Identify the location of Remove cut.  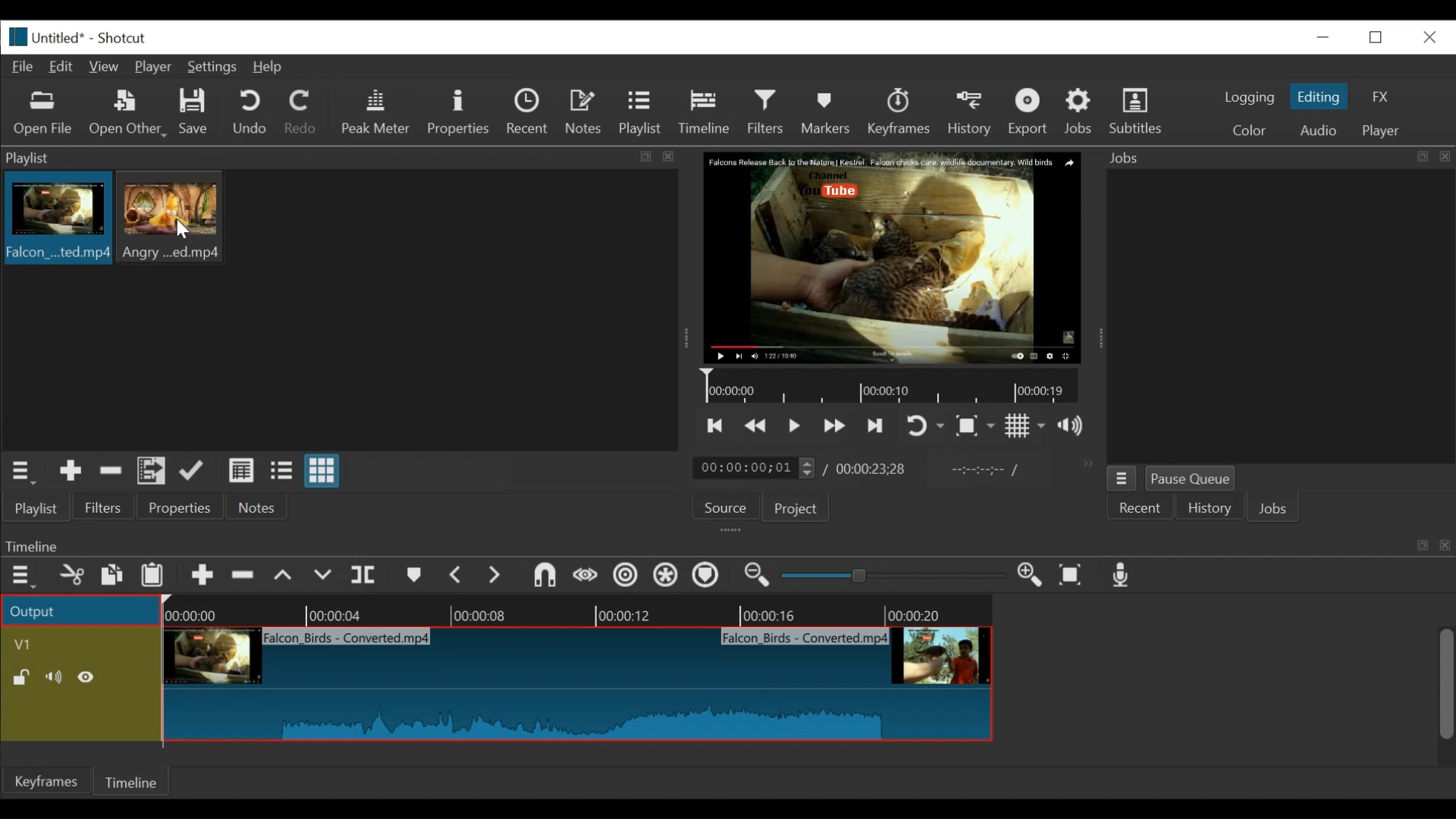
(111, 473).